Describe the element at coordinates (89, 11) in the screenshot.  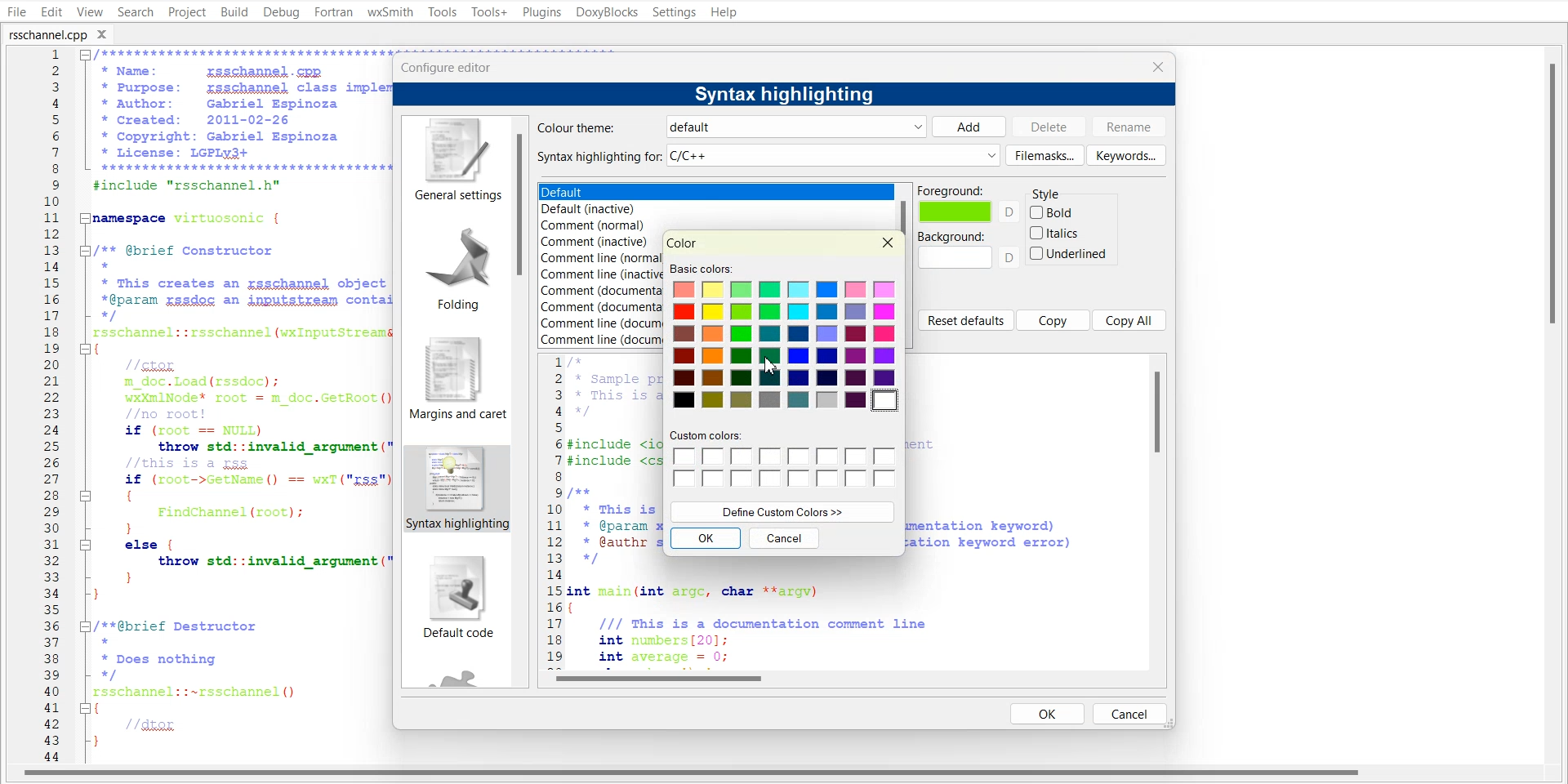
I see `View` at that location.